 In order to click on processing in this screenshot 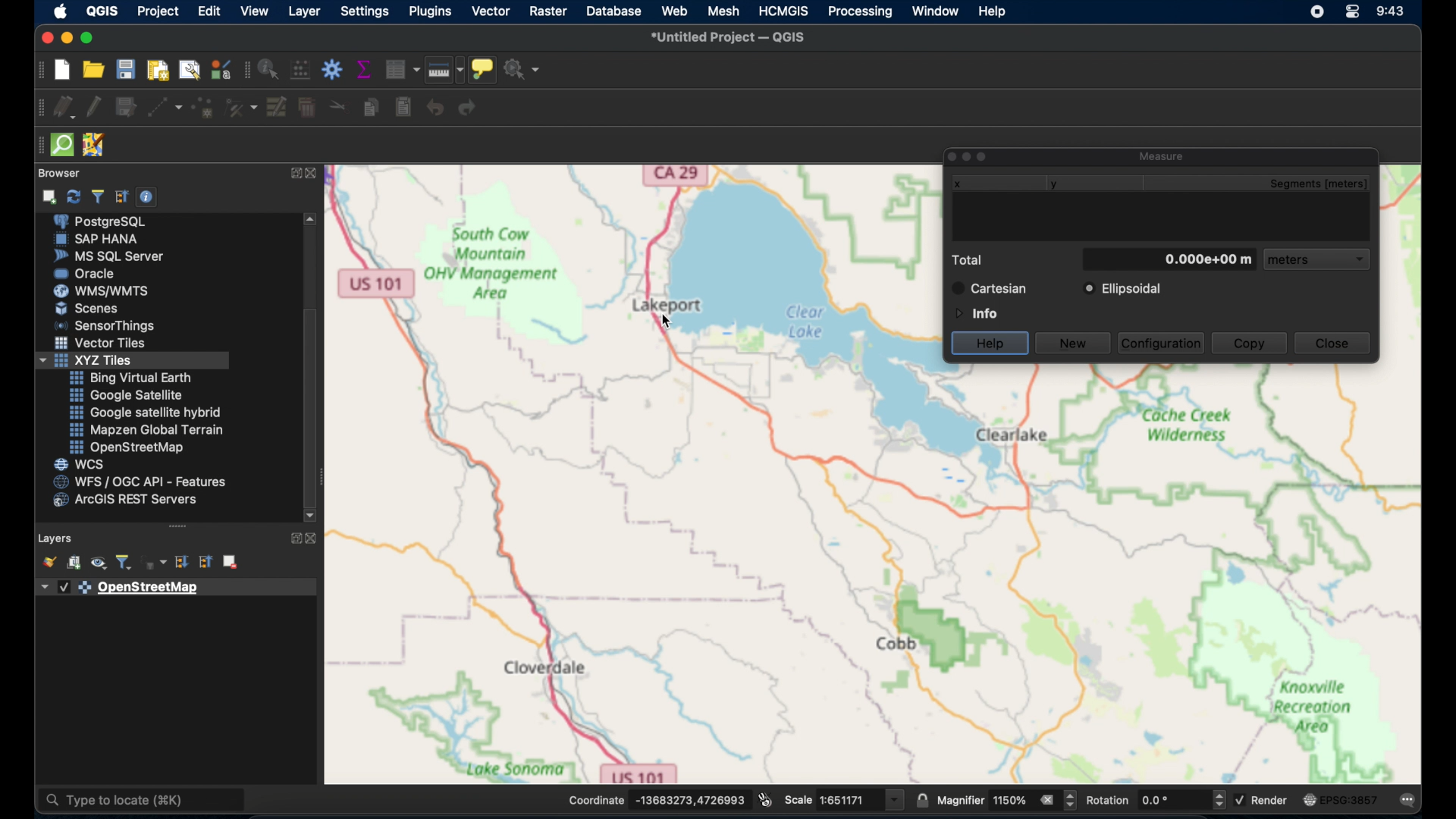, I will do `click(858, 13)`.